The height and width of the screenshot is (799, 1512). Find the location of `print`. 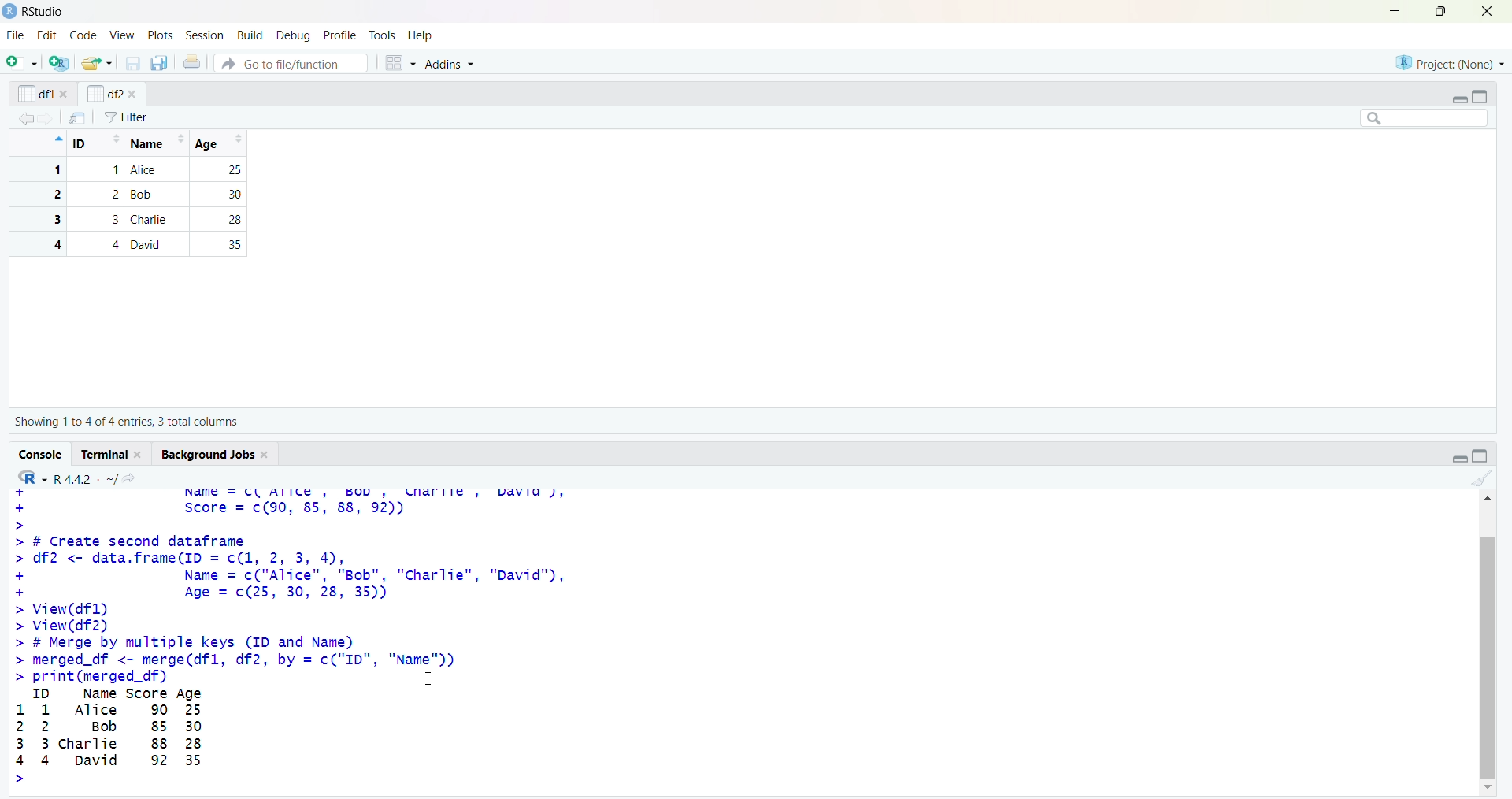

print is located at coordinates (193, 61).